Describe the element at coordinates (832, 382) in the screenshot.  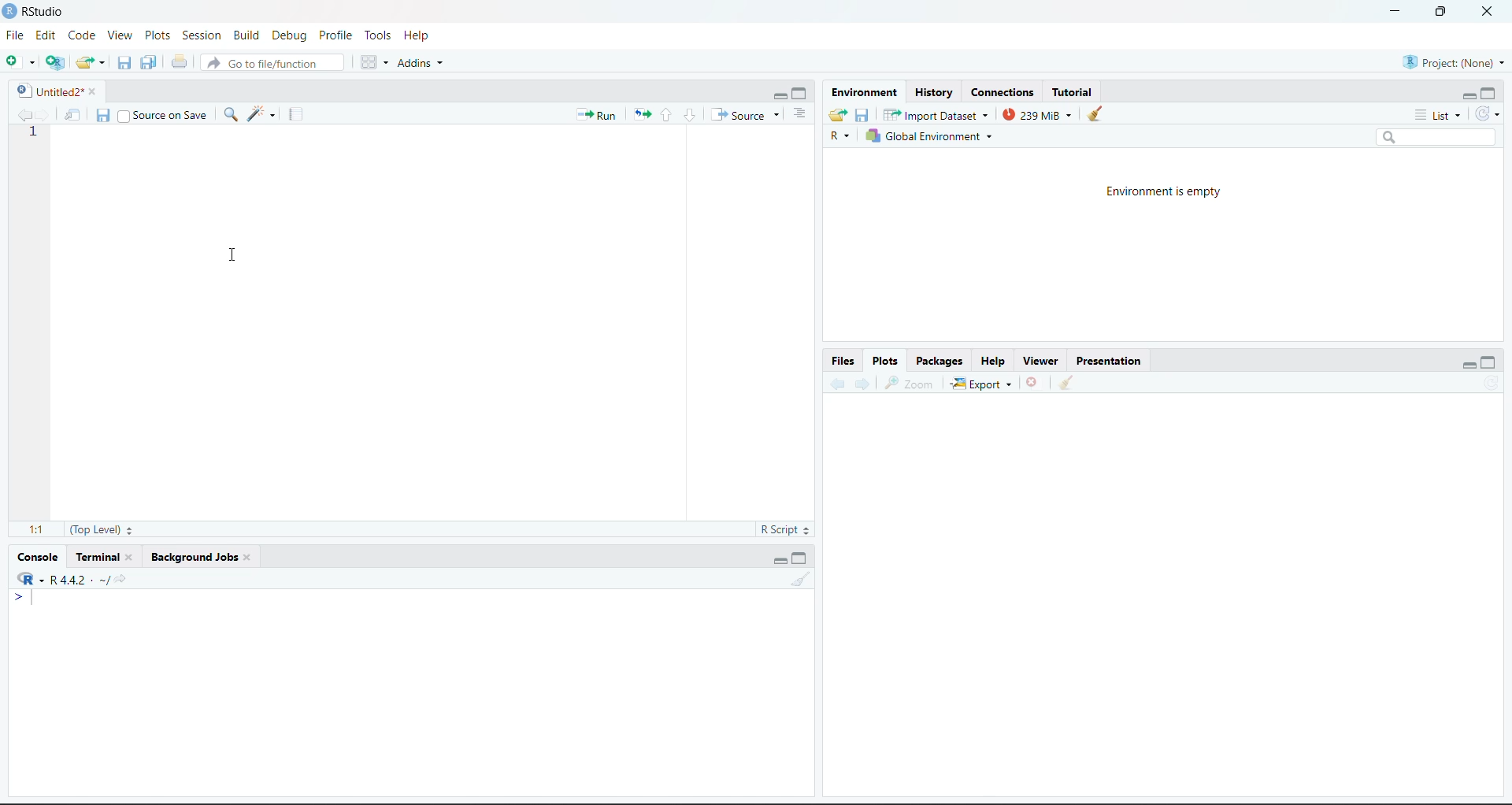
I see `Go back to the previous source location (Ctrl + F9)` at that location.